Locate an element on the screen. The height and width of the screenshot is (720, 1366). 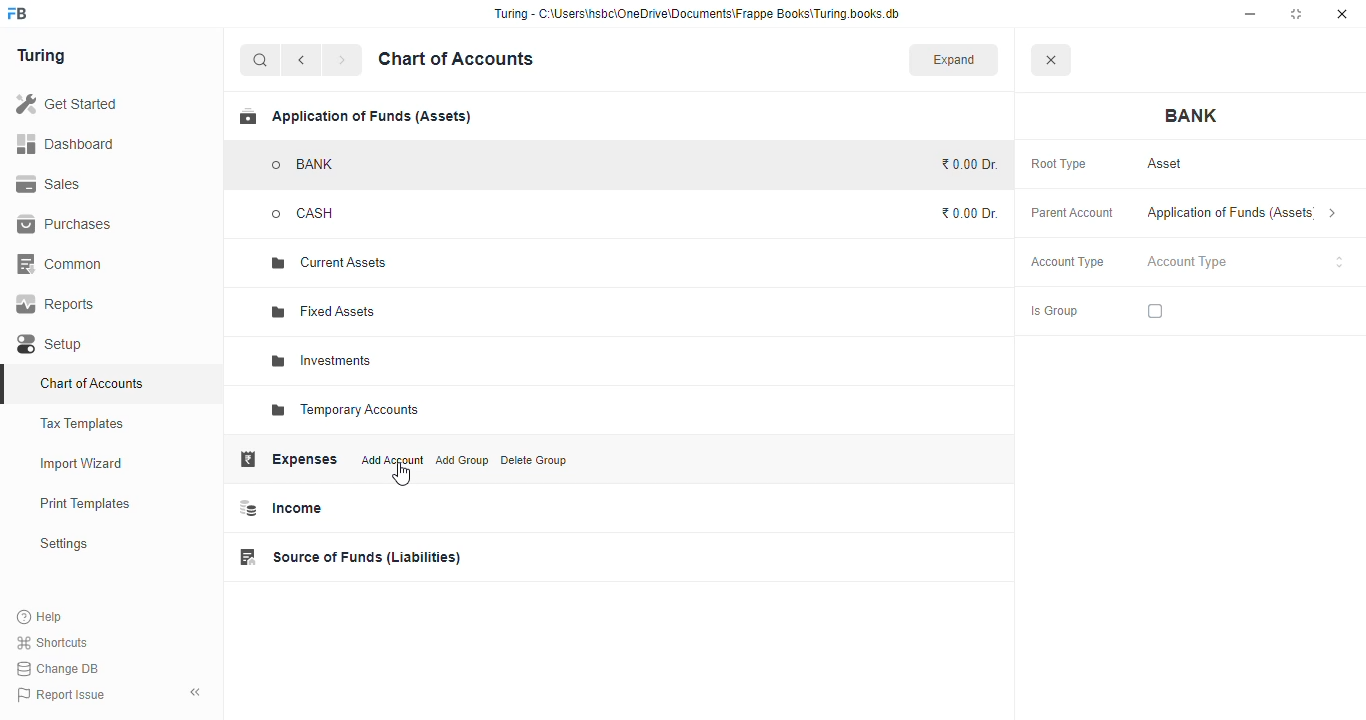
forward is located at coordinates (342, 60).